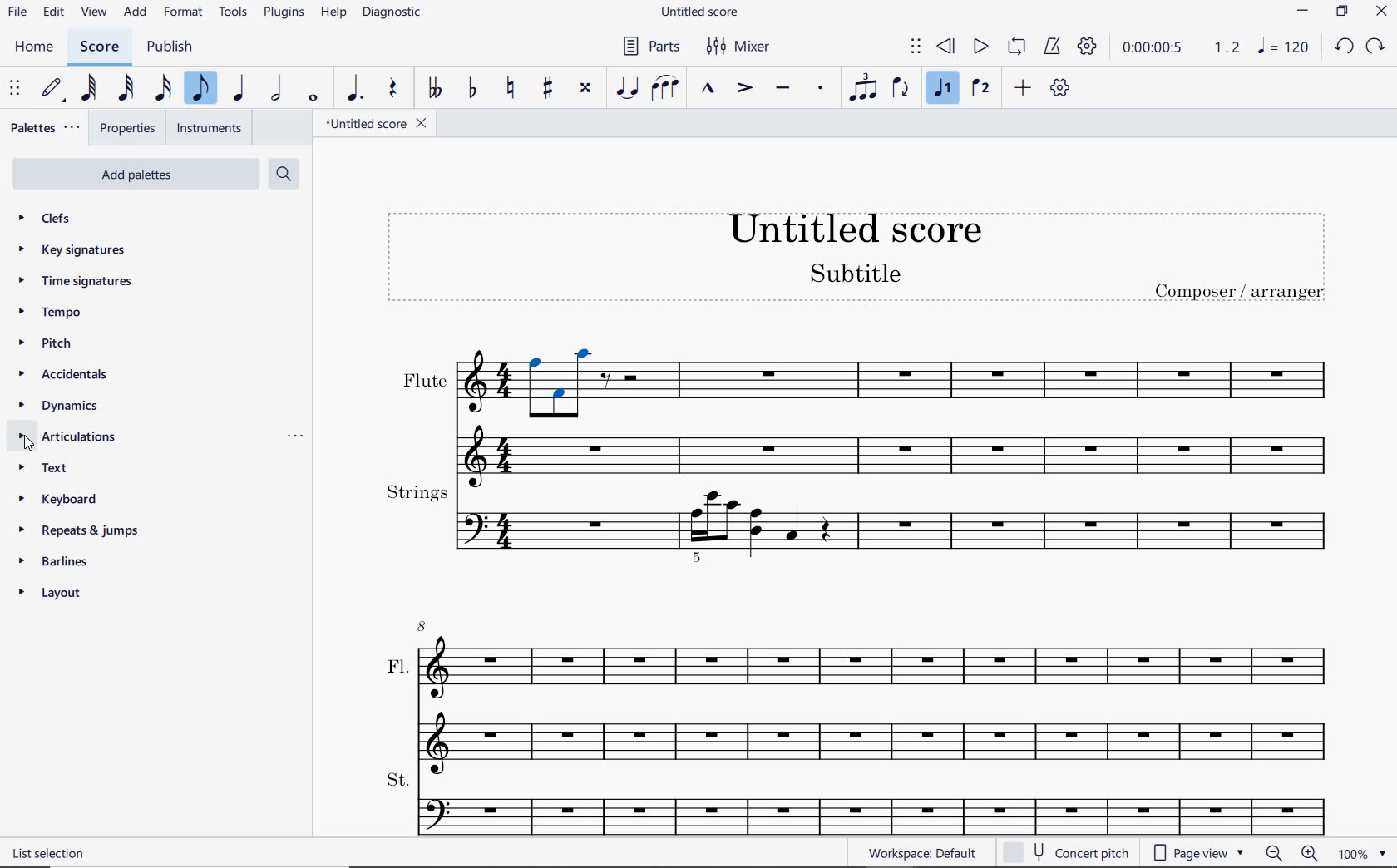 The height and width of the screenshot is (868, 1397). Describe the element at coordinates (210, 128) in the screenshot. I see `INSTRUMENTS` at that location.